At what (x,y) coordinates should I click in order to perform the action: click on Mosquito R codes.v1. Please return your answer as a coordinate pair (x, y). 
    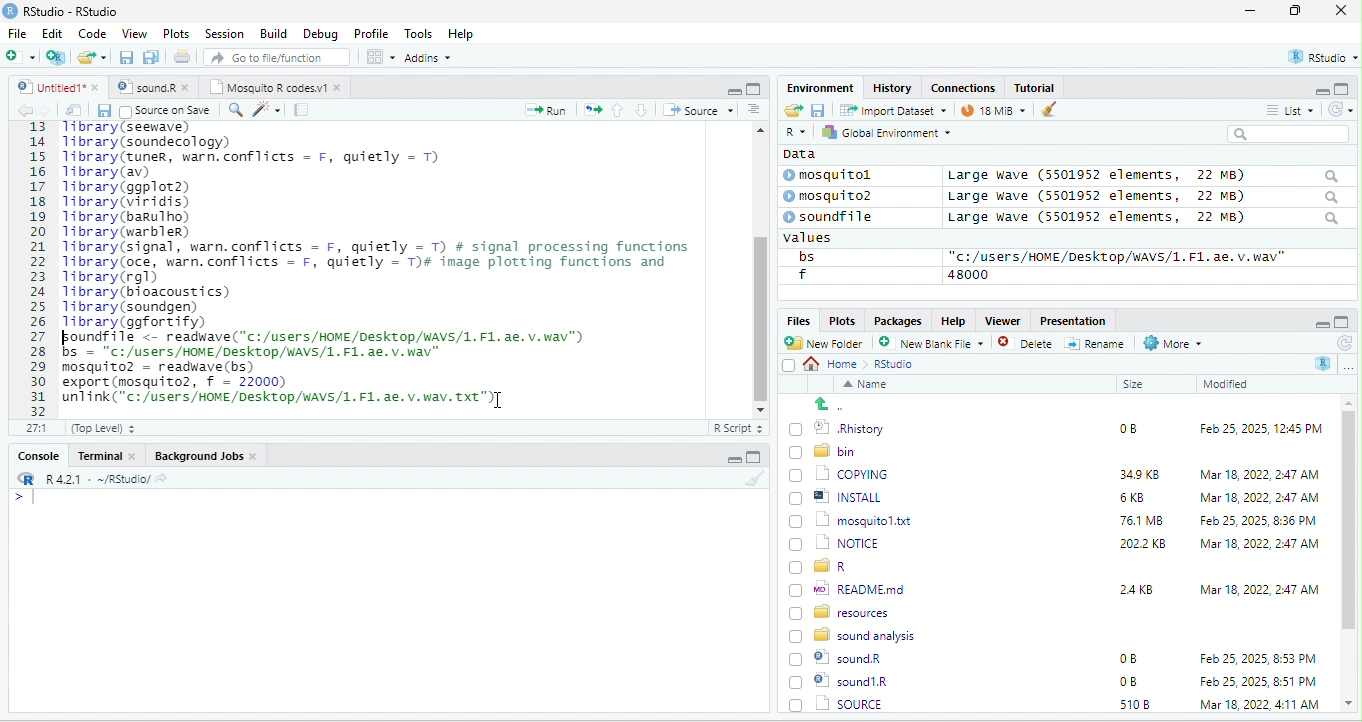
    Looking at the image, I should click on (276, 87).